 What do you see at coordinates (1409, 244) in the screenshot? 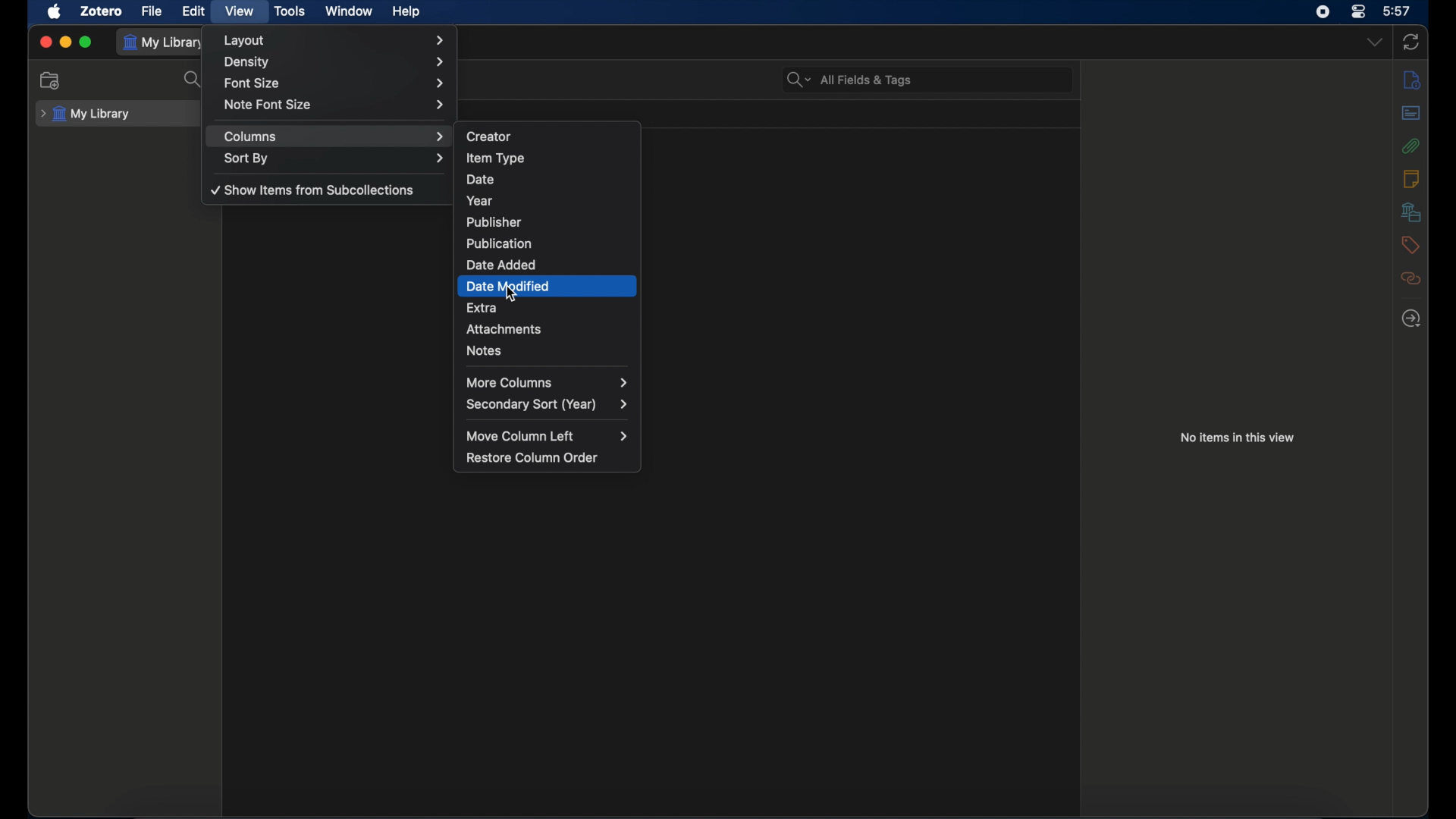
I see `tags` at bounding box center [1409, 244].